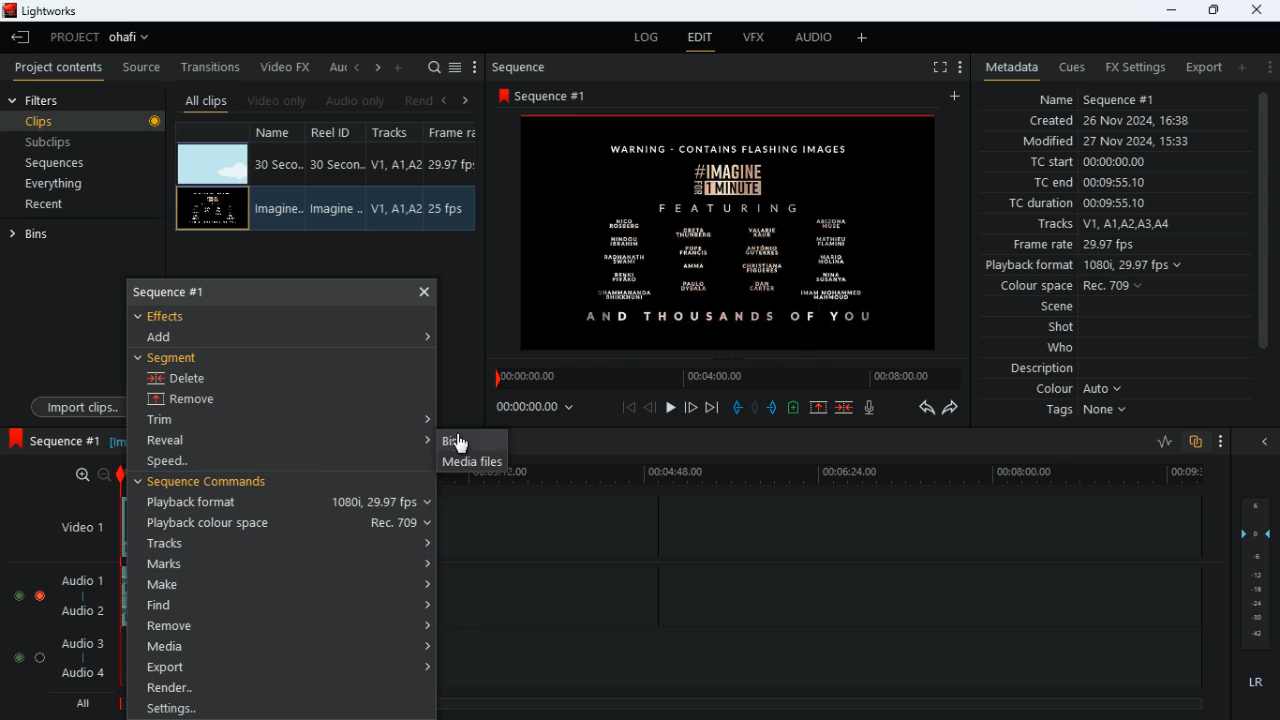 Image resolution: width=1280 pixels, height=720 pixels. Describe the element at coordinates (960, 65) in the screenshot. I see `menu` at that location.